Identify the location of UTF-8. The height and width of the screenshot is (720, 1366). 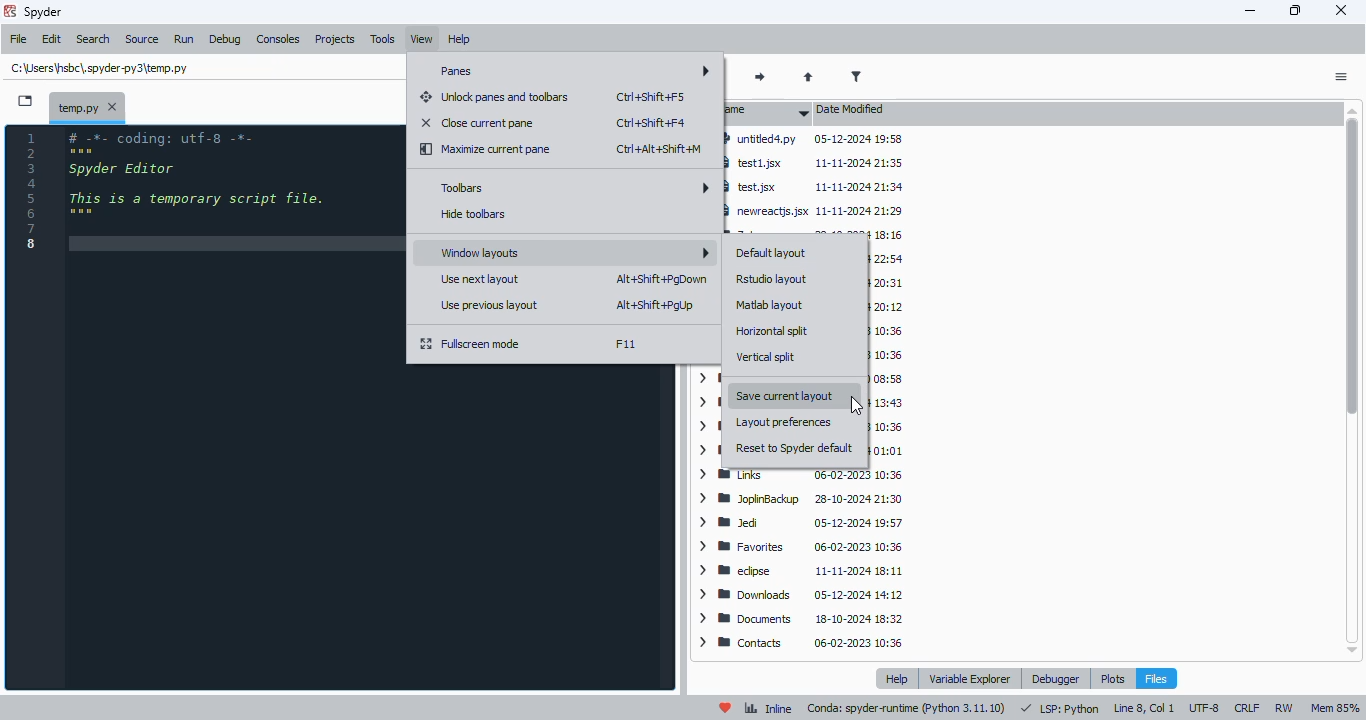
(1203, 709).